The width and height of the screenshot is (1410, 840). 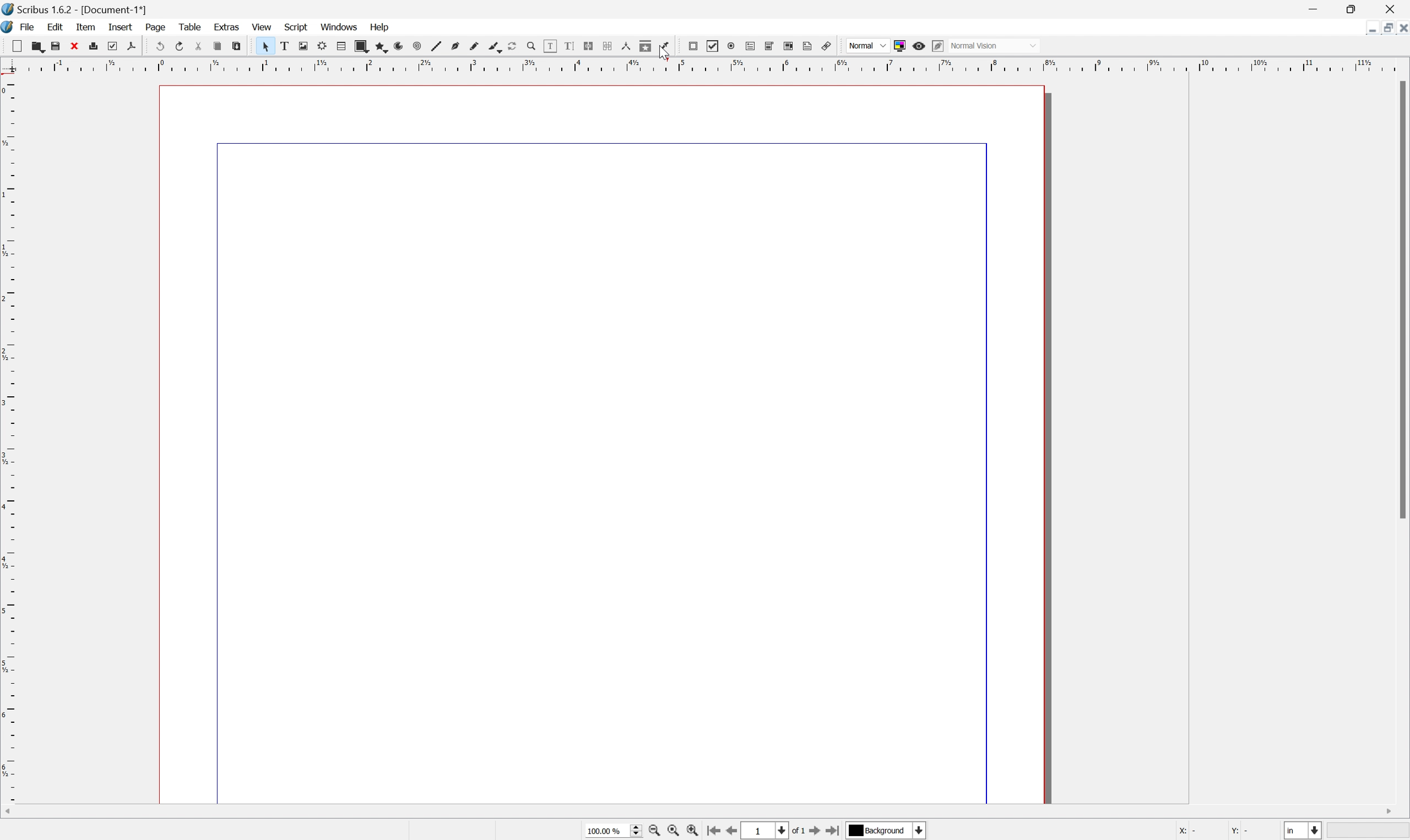 I want to click on Minimize, so click(x=1315, y=10).